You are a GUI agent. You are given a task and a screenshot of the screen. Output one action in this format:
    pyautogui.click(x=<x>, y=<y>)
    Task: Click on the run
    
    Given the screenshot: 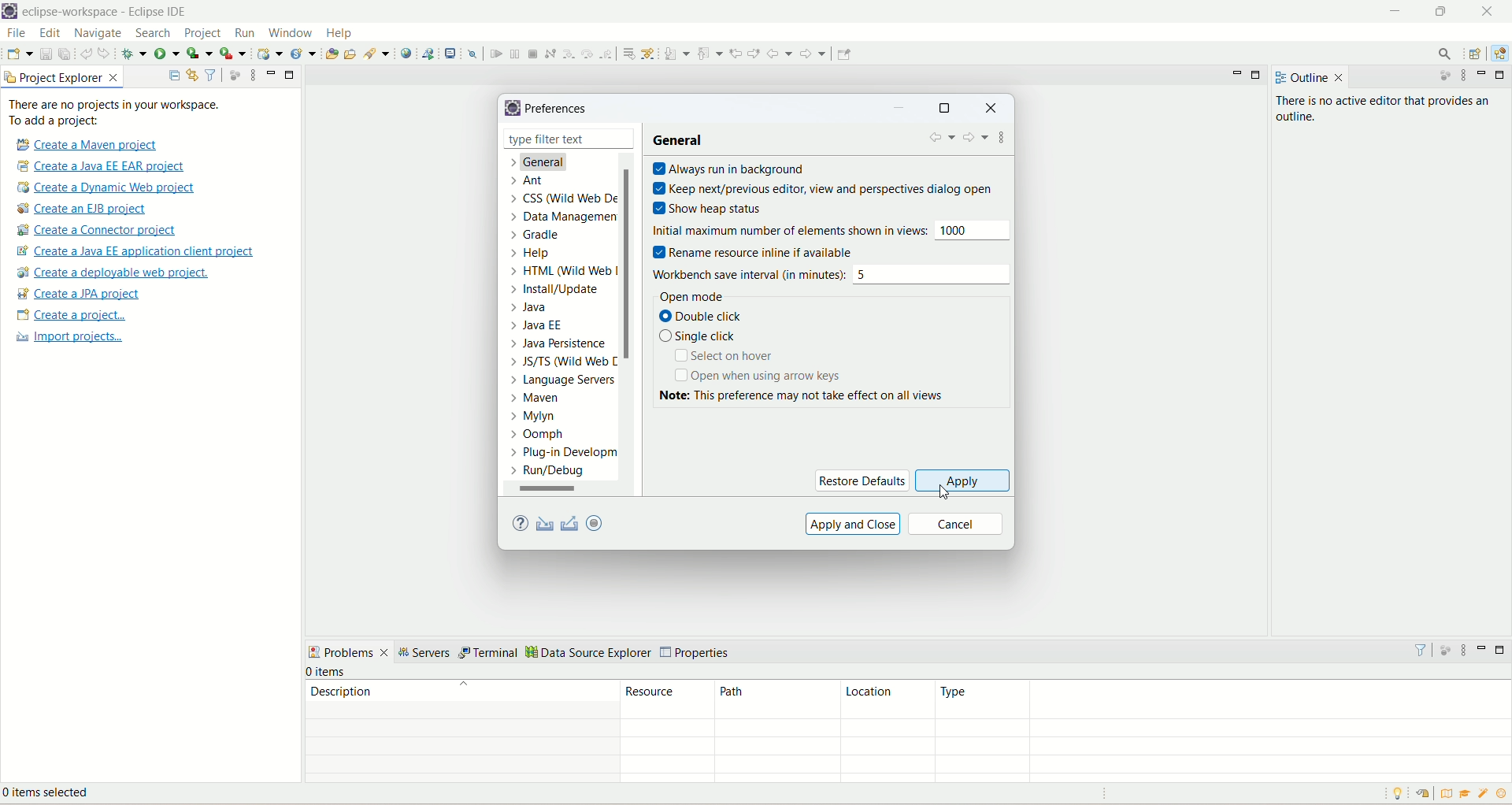 What is the action you would take?
    pyautogui.click(x=166, y=52)
    